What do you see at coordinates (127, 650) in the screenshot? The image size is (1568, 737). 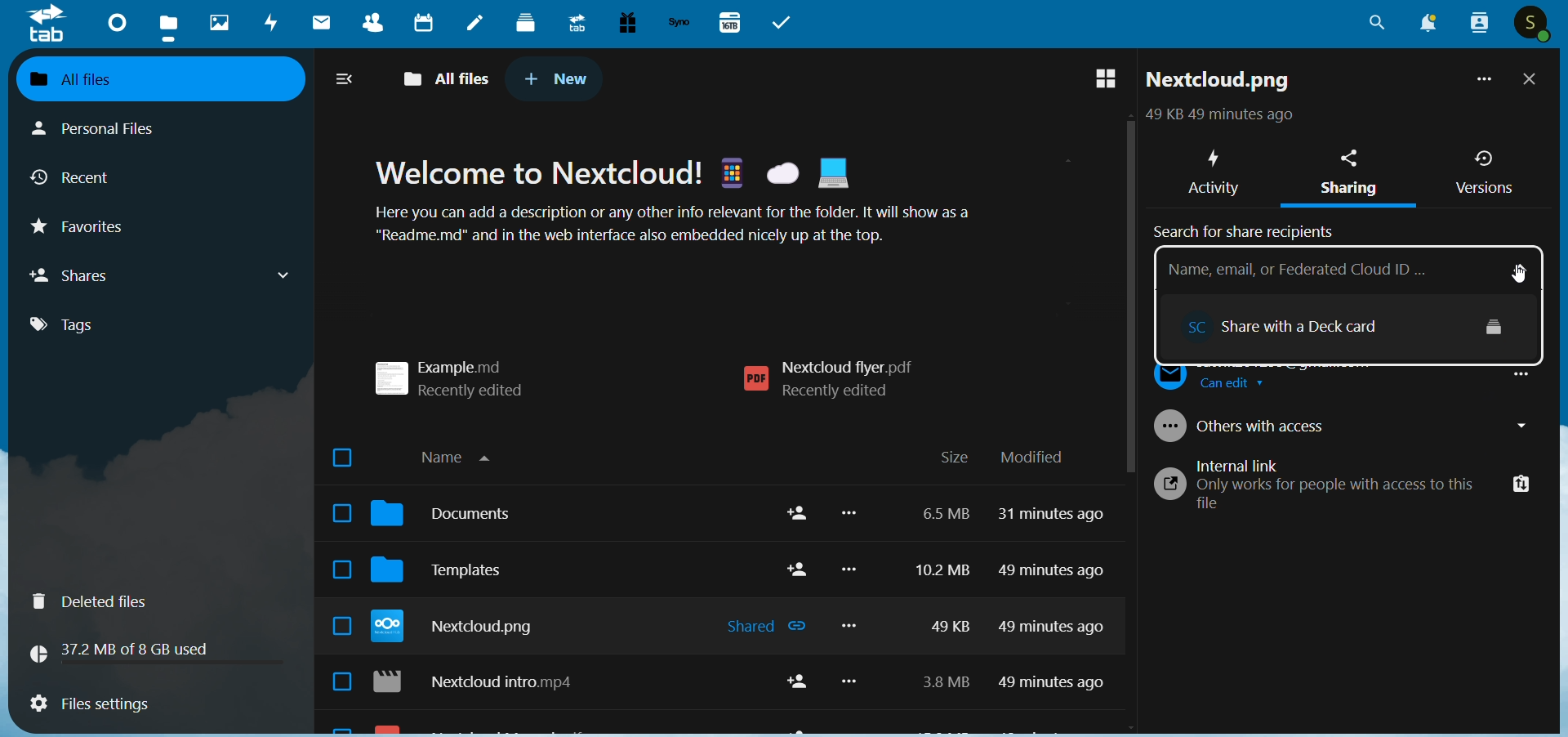 I see `storage` at bounding box center [127, 650].